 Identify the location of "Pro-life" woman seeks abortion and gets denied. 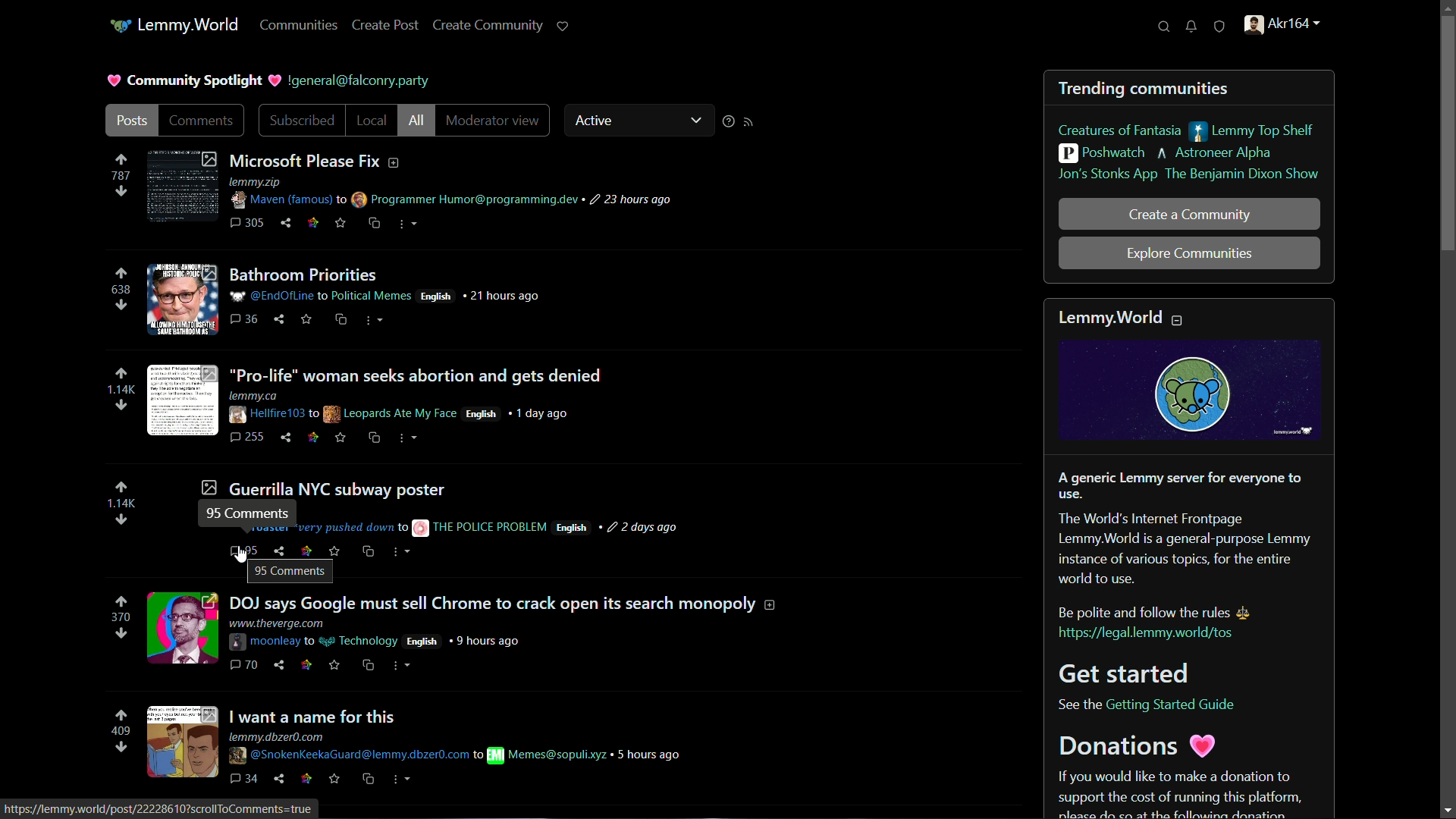
(419, 375).